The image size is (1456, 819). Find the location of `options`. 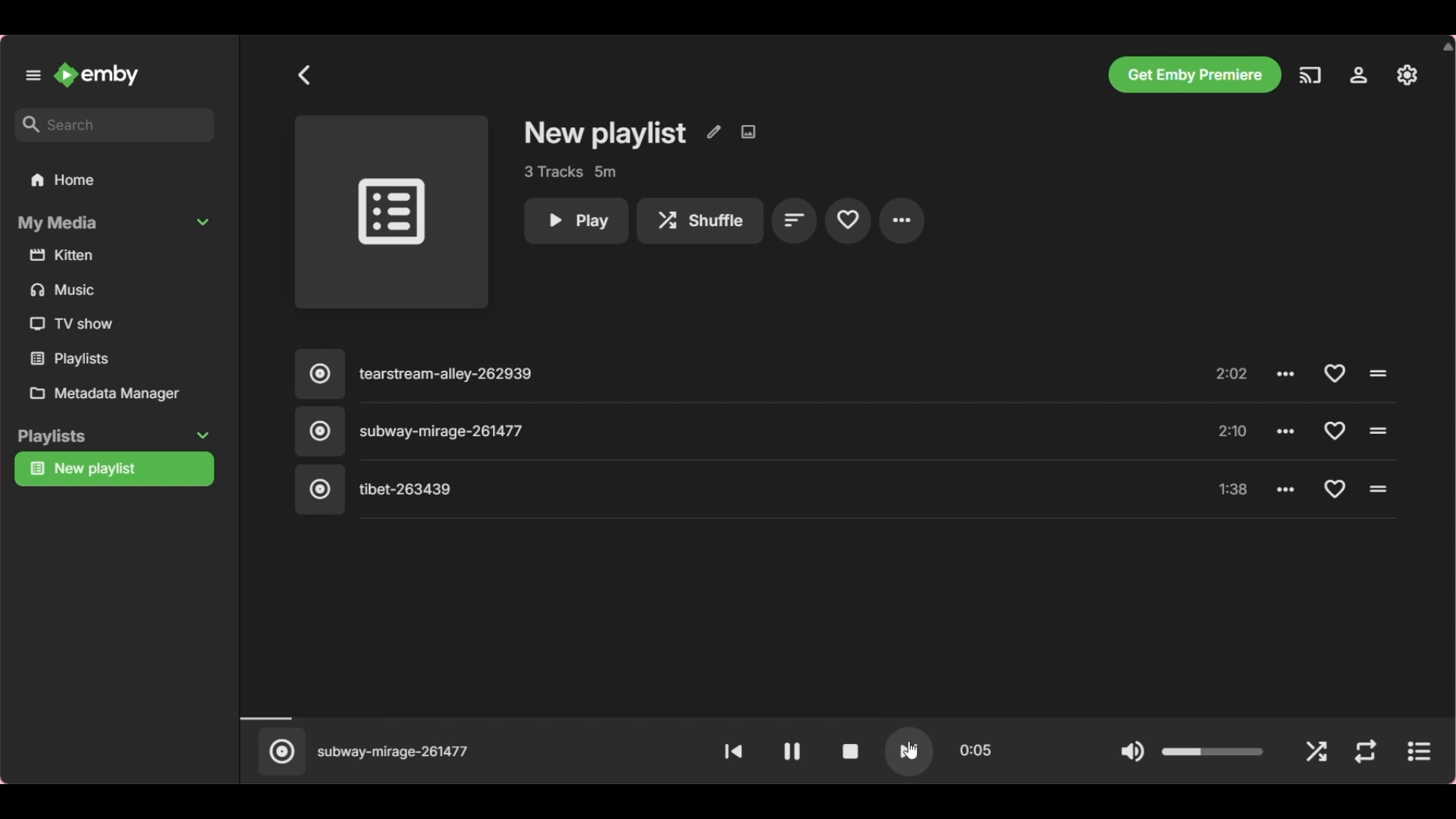

options is located at coordinates (1288, 370).